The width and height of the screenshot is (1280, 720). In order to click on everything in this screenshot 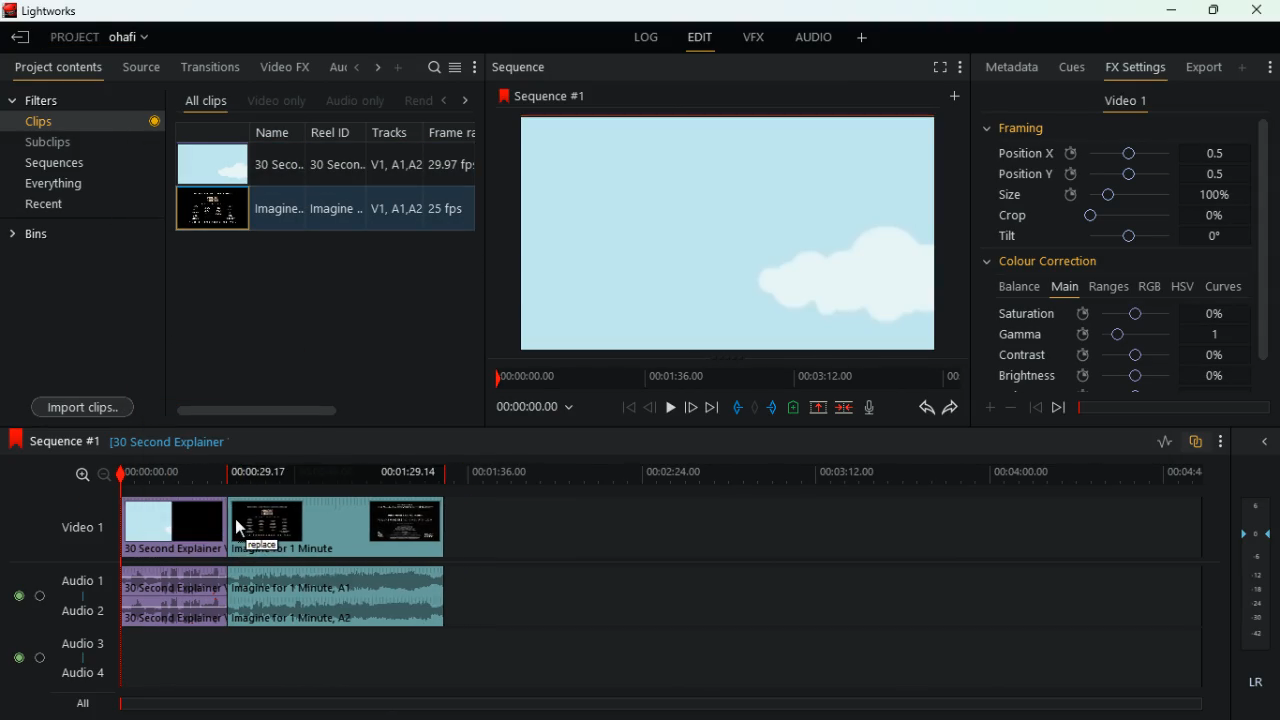, I will do `click(71, 184)`.